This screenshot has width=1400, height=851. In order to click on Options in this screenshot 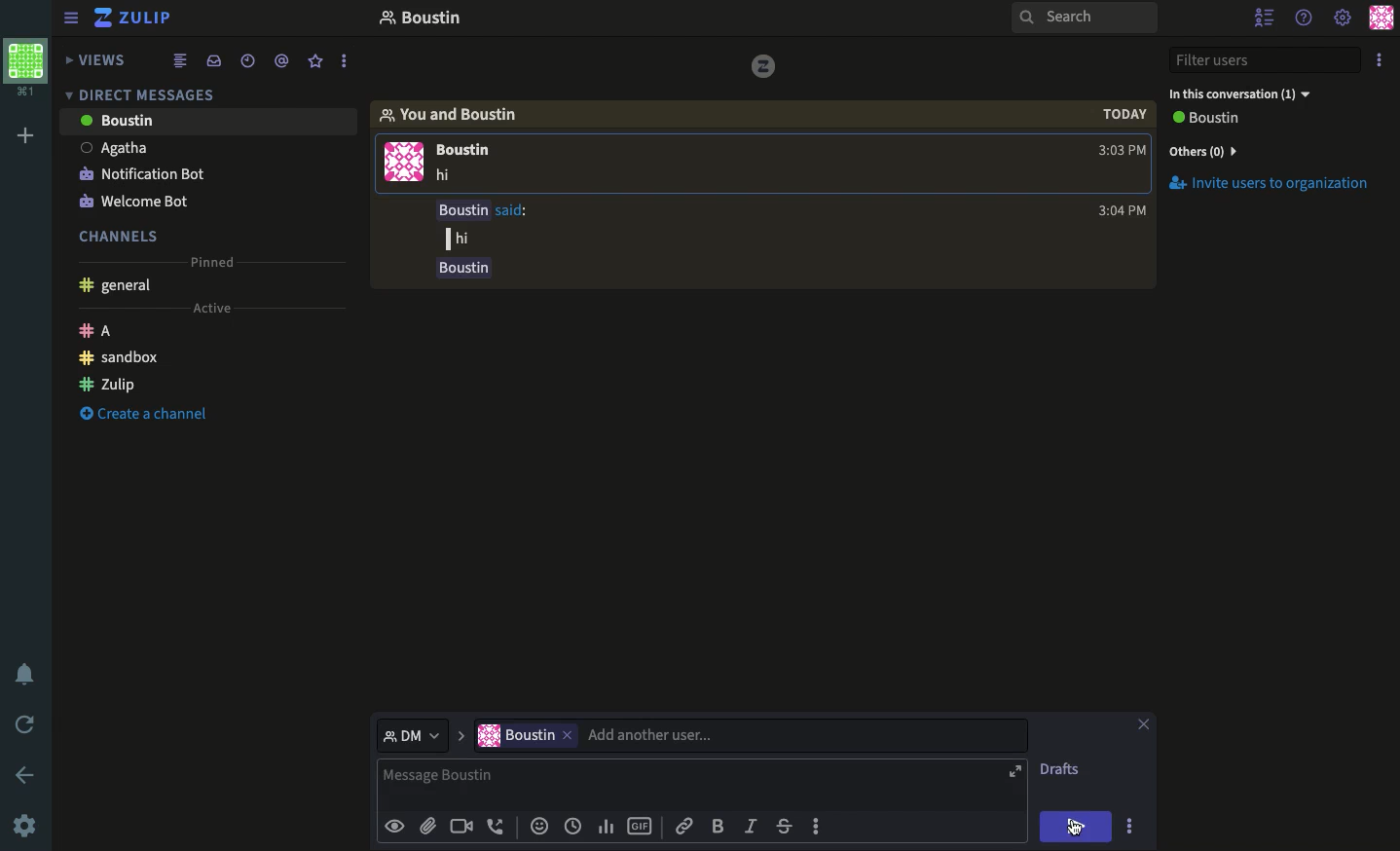, I will do `click(816, 824)`.